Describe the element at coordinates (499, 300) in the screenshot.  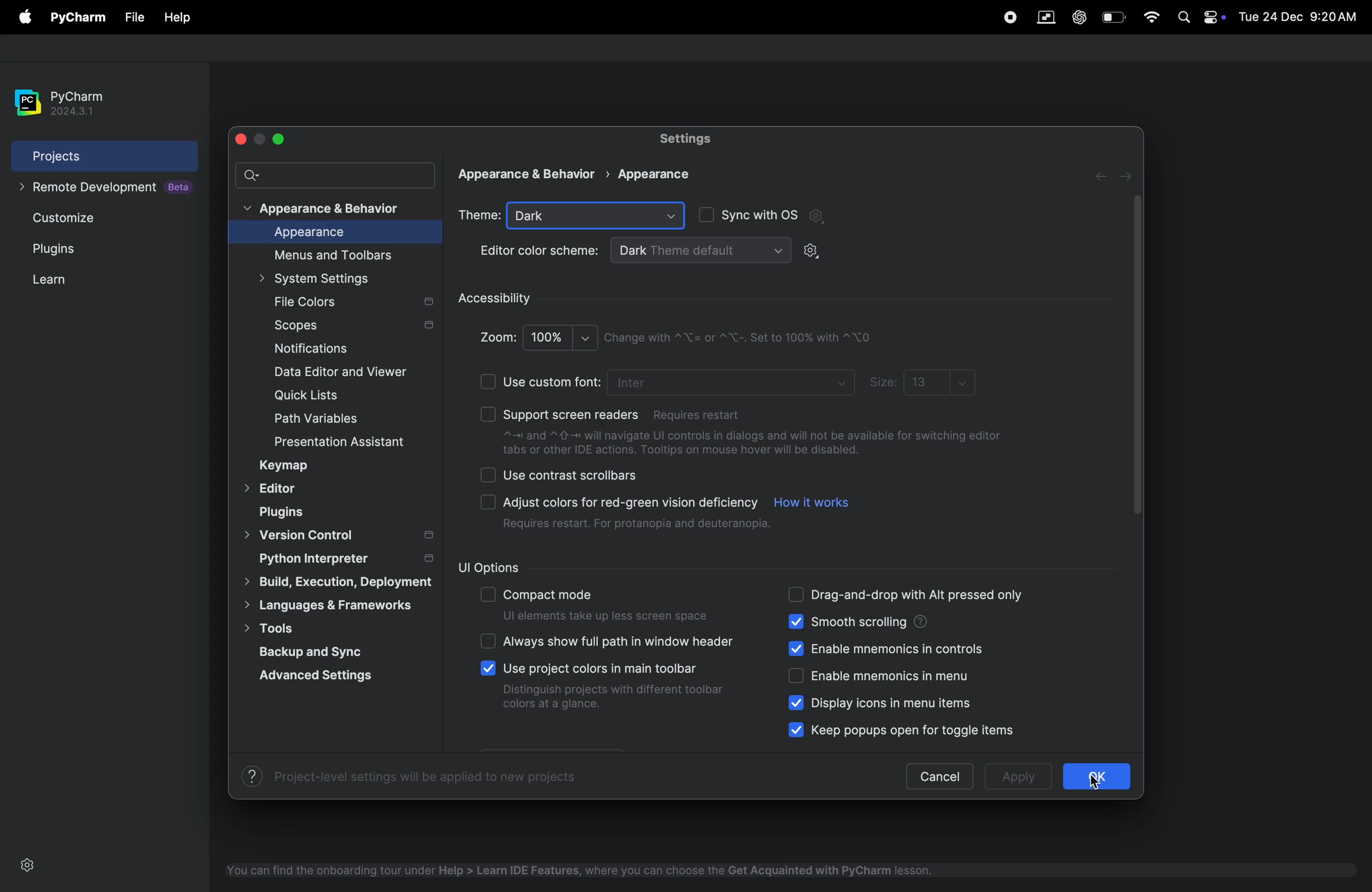
I see `accesibility` at that location.